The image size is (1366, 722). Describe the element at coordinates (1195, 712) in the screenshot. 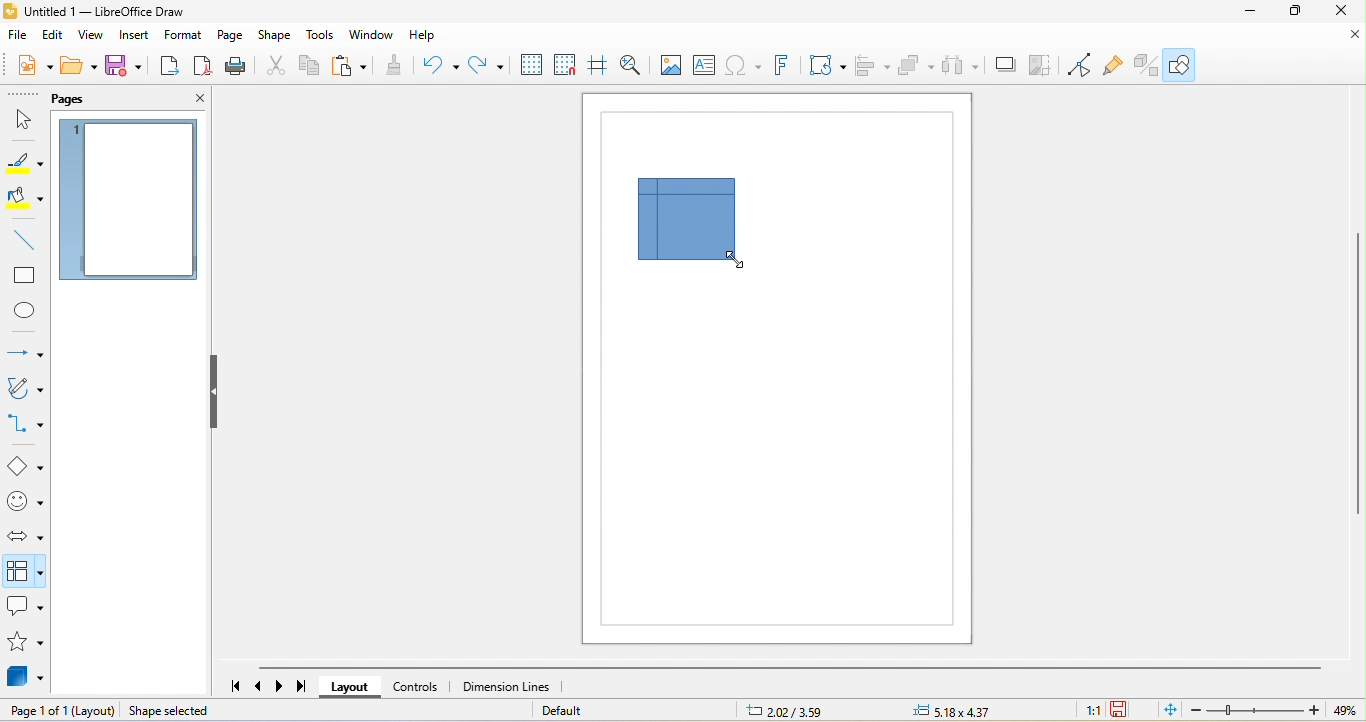

I see `zoom out` at that location.